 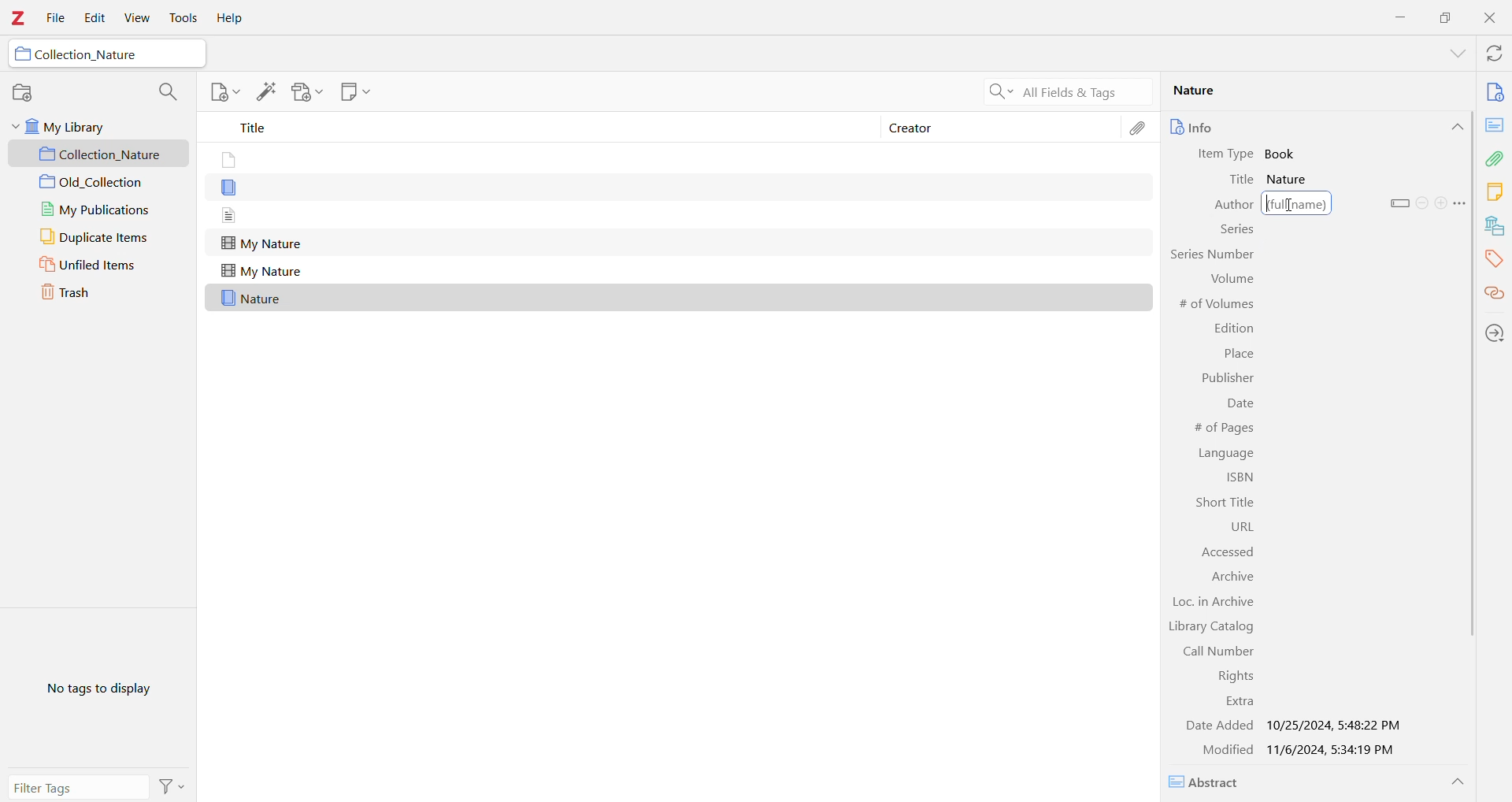 I want to click on Locate, so click(x=1495, y=334).